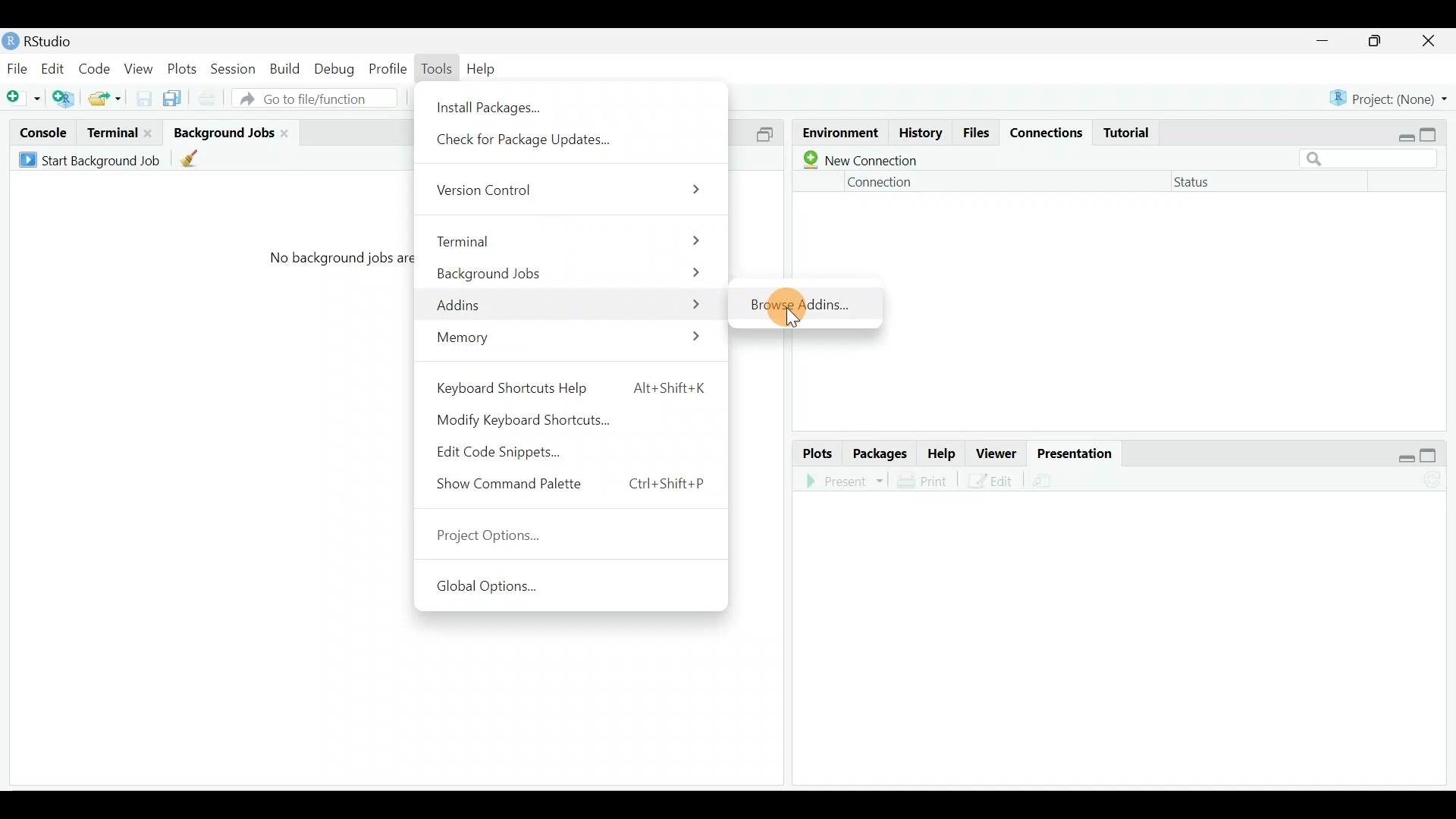 Image resolution: width=1456 pixels, height=819 pixels. What do you see at coordinates (789, 311) in the screenshot?
I see `Cursor` at bounding box center [789, 311].